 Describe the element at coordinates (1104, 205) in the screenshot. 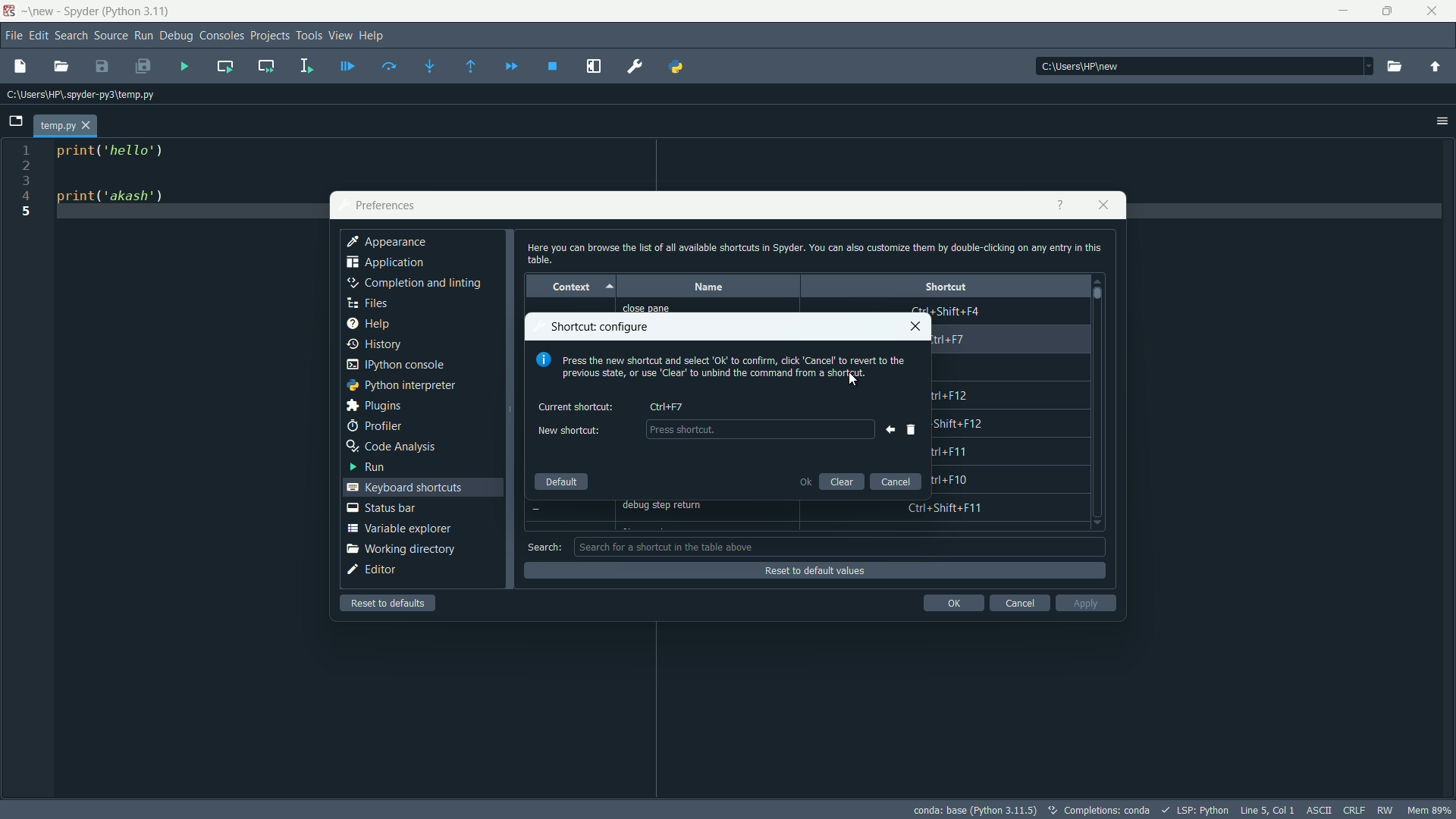

I see `close preferences window` at that location.